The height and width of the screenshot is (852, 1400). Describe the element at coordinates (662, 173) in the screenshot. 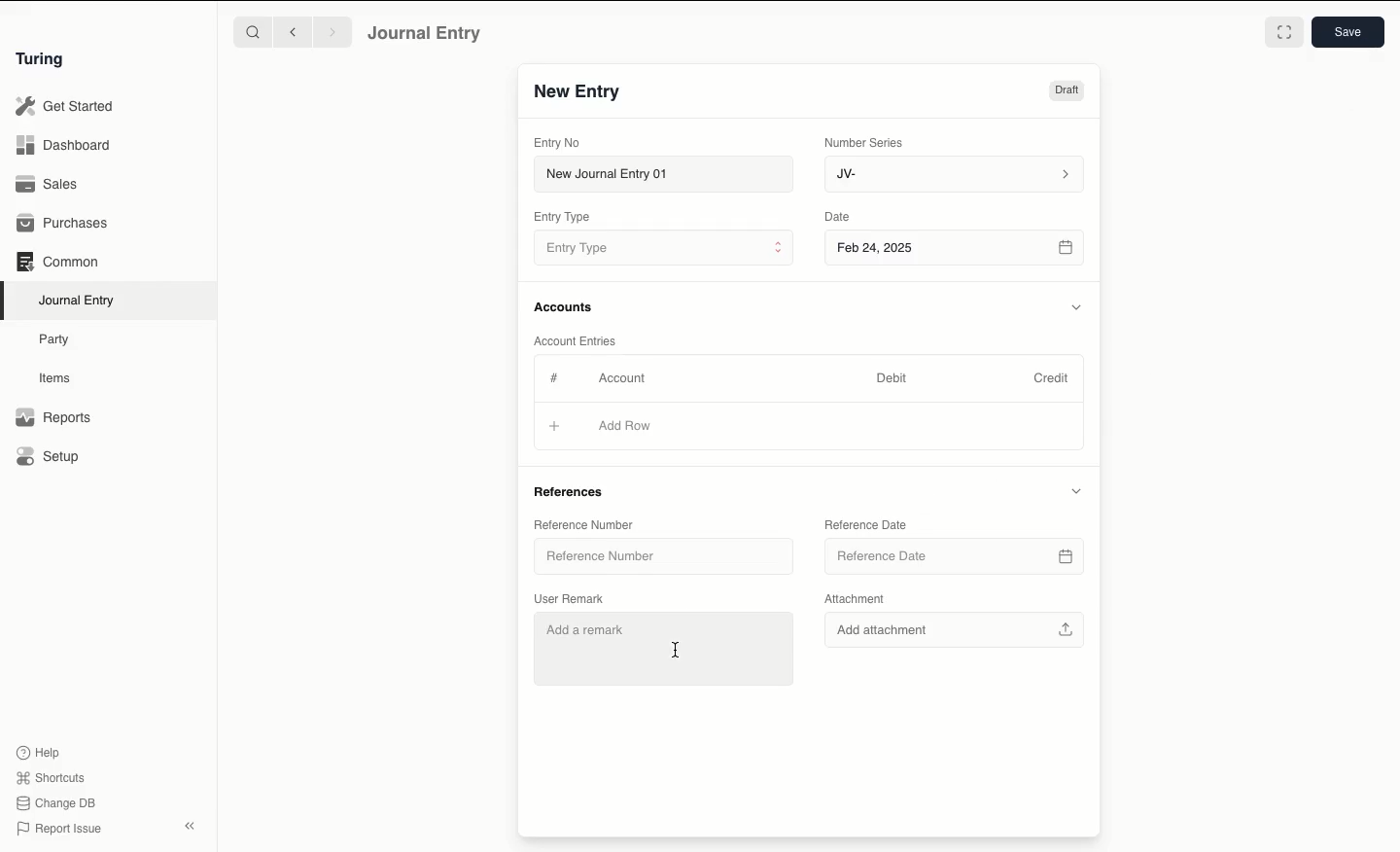

I see `New Journal Entry 01` at that location.